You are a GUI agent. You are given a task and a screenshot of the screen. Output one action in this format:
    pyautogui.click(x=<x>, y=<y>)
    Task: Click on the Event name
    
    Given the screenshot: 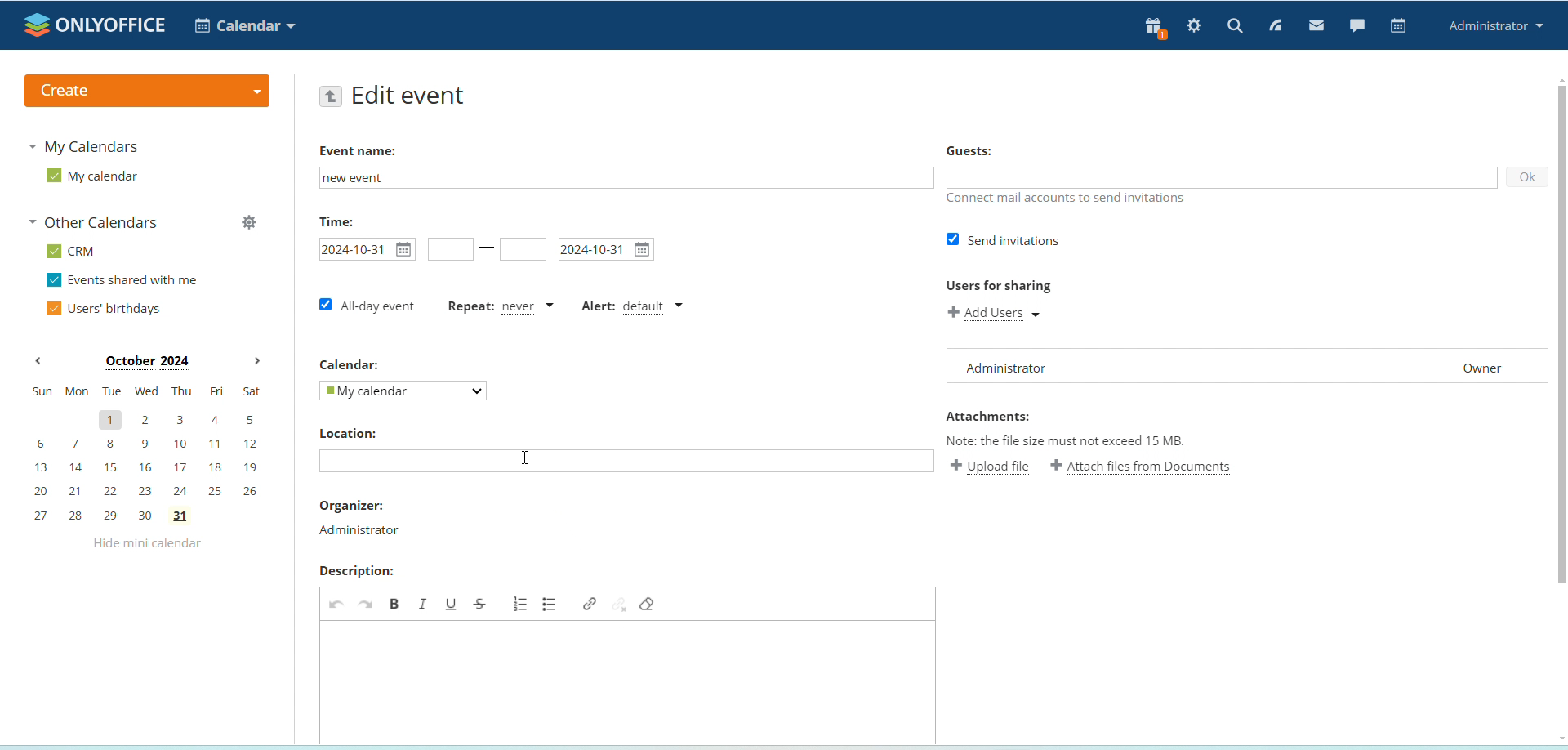 What is the action you would take?
    pyautogui.click(x=360, y=151)
    